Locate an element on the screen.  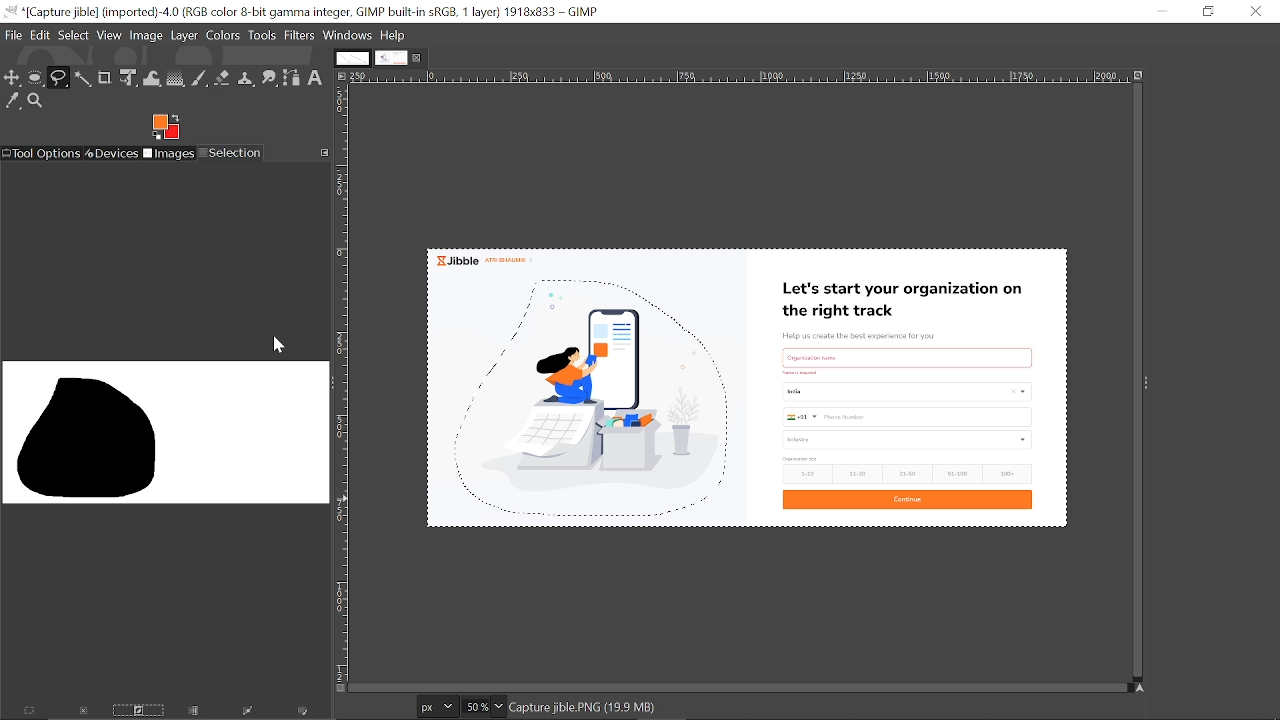
Restore down is located at coordinates (1206, 11).